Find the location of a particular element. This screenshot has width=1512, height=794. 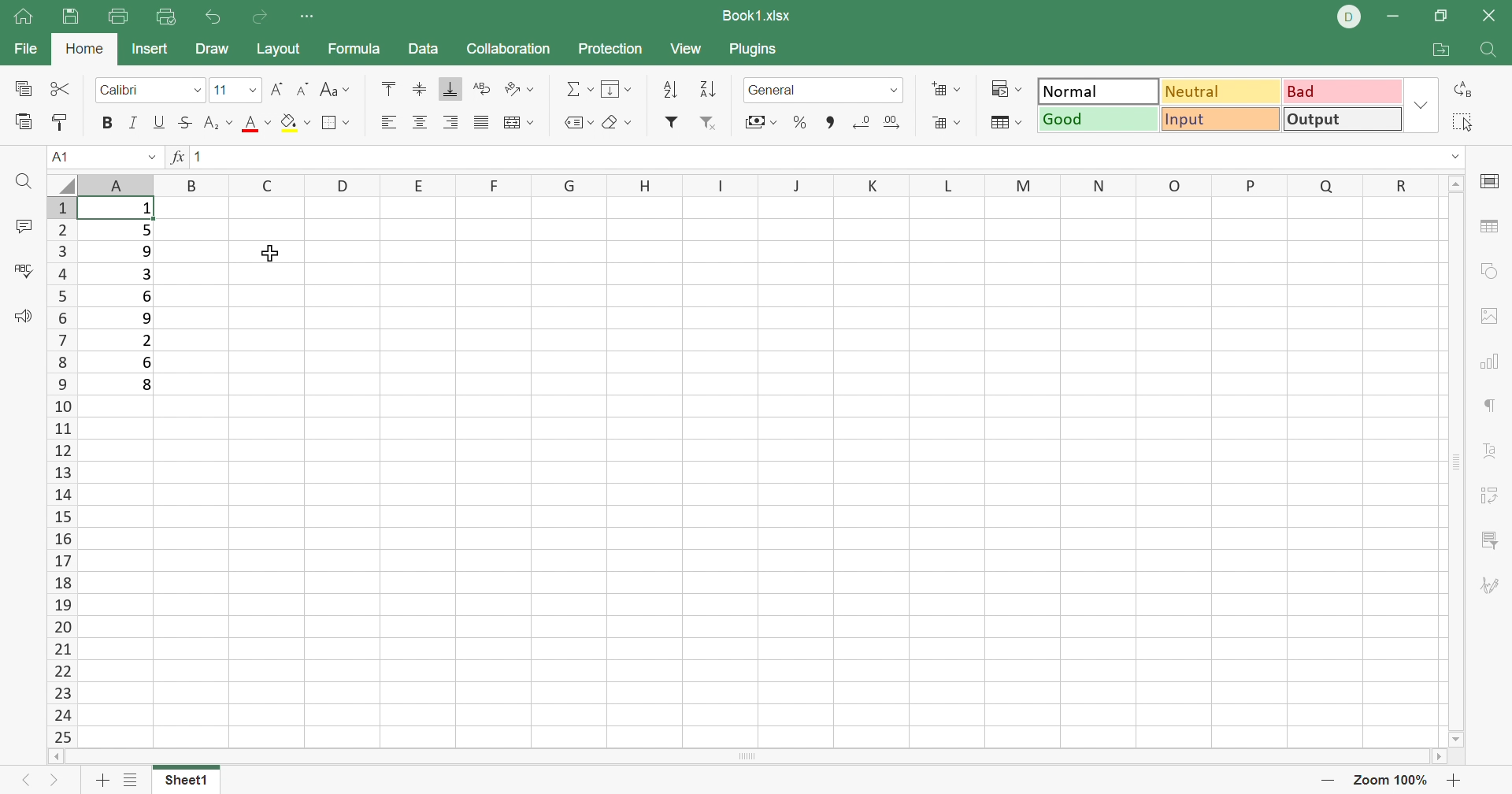

Align bottom is located at coordinates (454, 89).